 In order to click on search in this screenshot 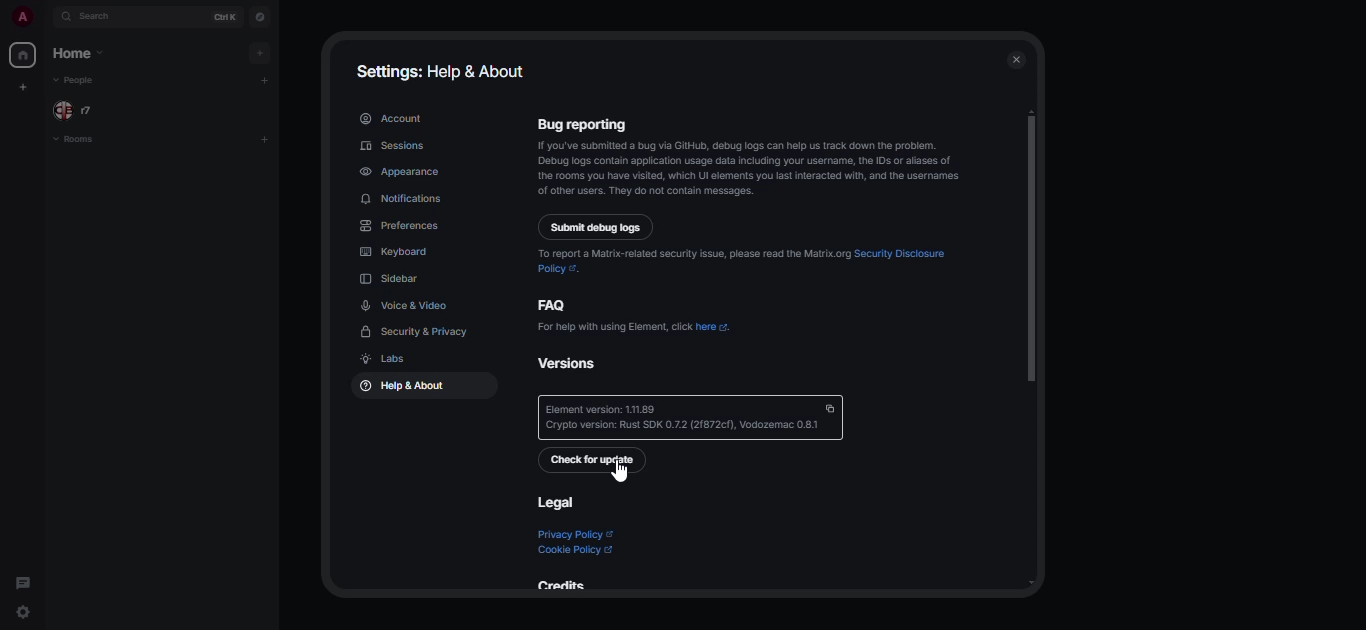, I will do `click(93, 17)`.